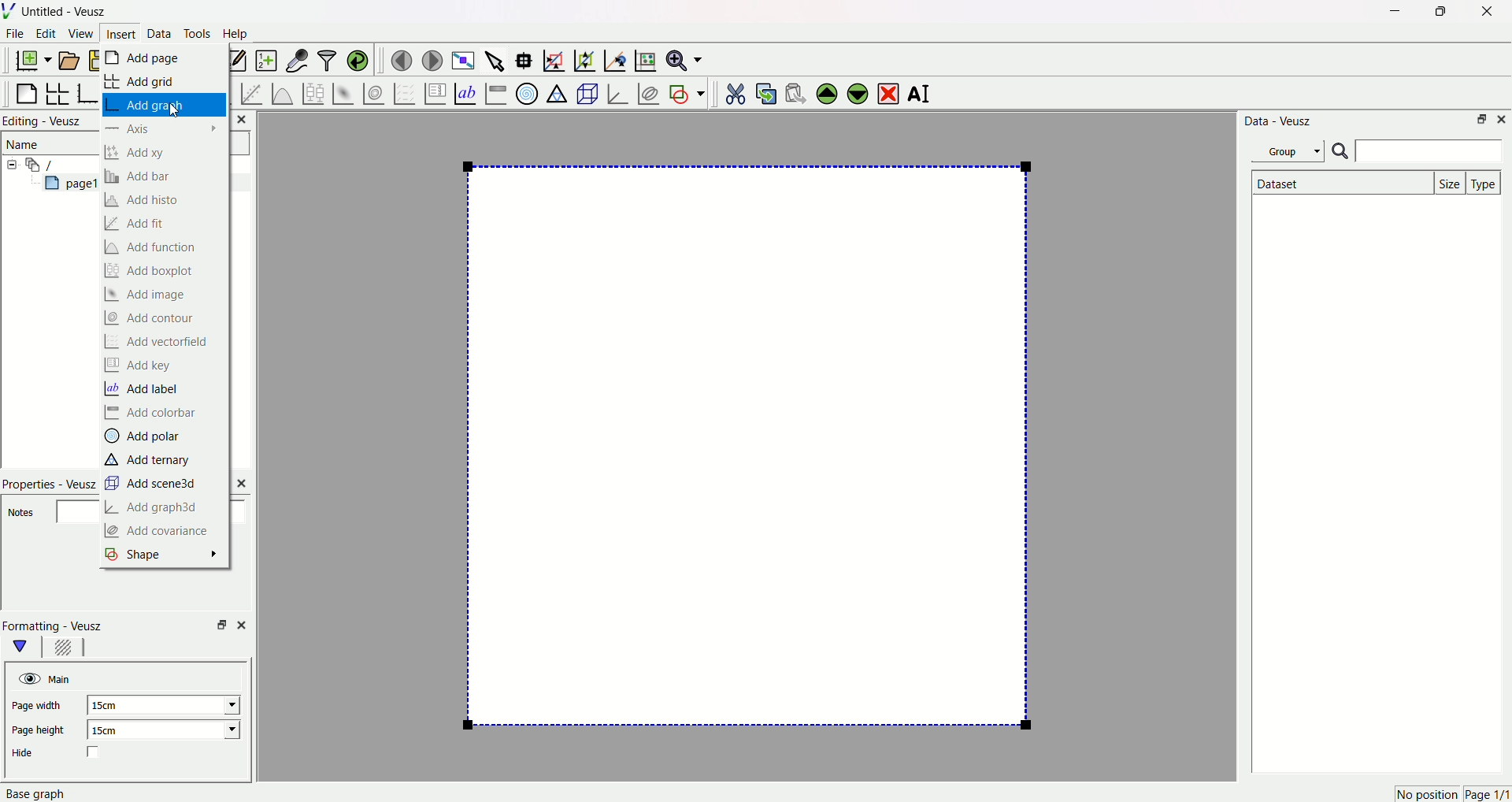 This screenshot has height=802, width=1512. What do you see at coordinates (1291, 150) in the screenshot?
I see `Group` at bounding box center [1291, 150].